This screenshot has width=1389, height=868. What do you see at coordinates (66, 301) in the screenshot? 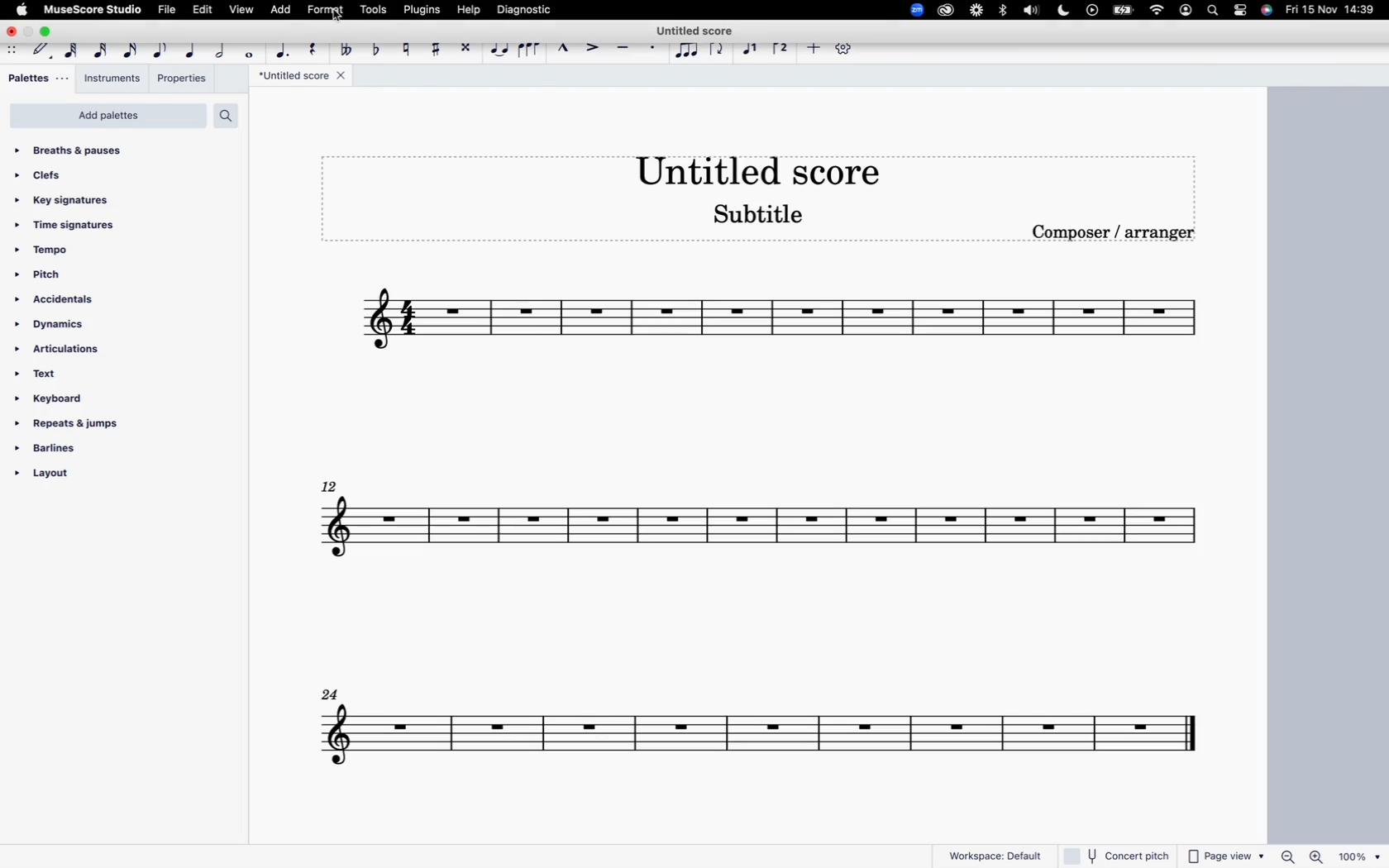
I see `accidentals` at bounding box center [66, 301].